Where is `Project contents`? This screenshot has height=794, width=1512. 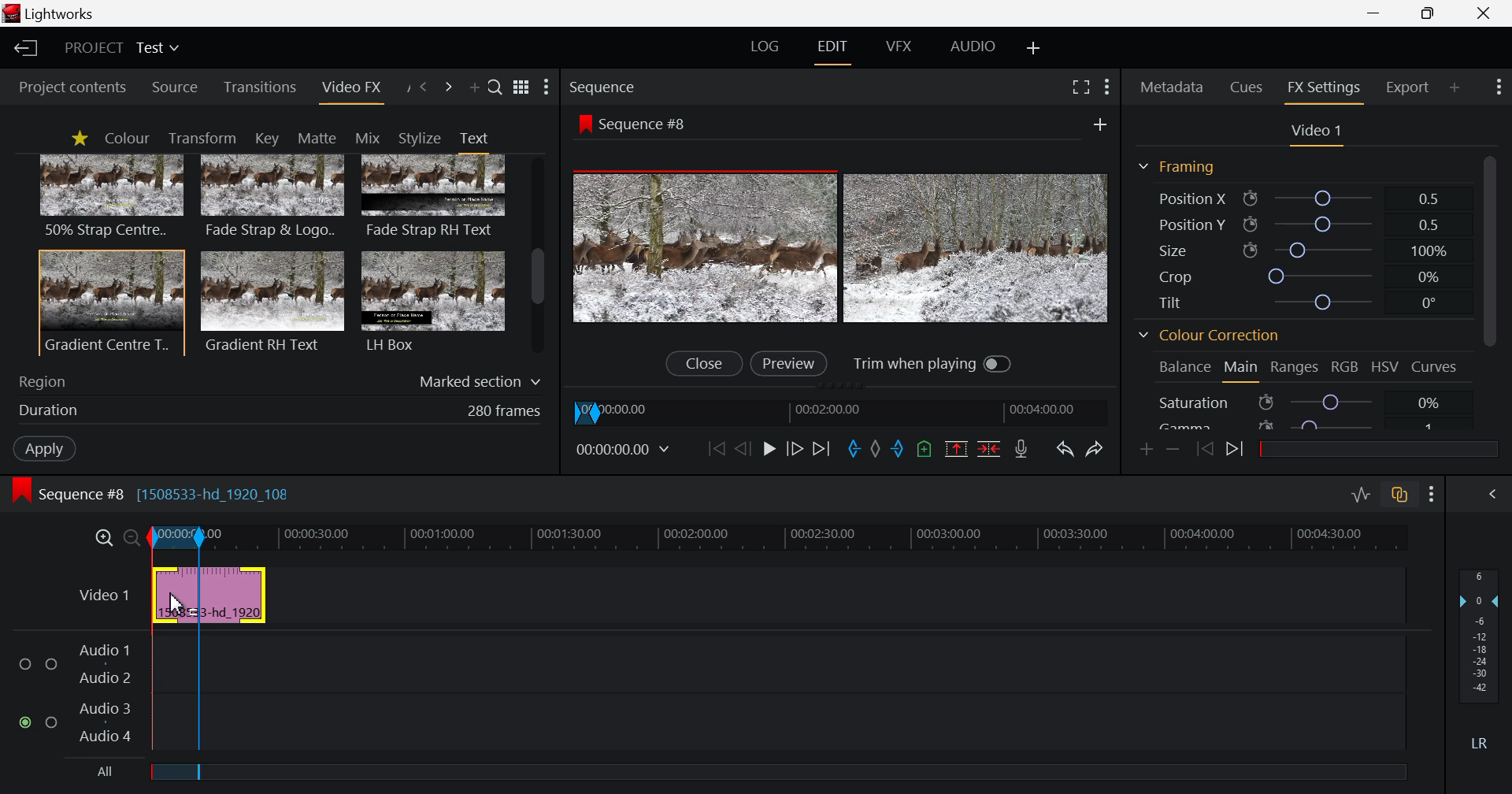 Project contents is located at coordinates (71, 87).